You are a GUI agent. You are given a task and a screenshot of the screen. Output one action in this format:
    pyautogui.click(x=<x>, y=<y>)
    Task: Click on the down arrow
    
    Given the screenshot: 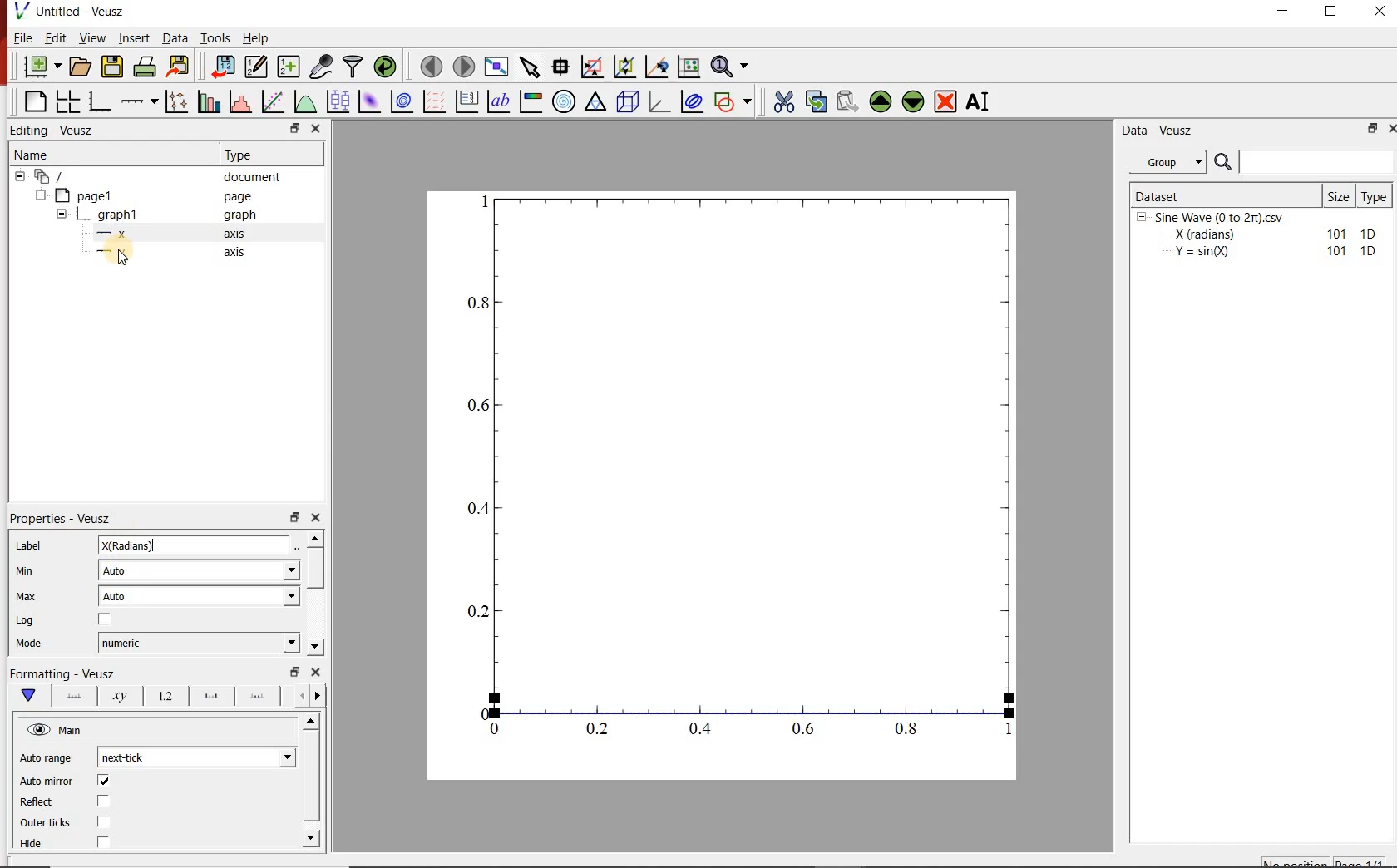 What is the action you would take?
    pyautogui.click(x=27, y=696)
    